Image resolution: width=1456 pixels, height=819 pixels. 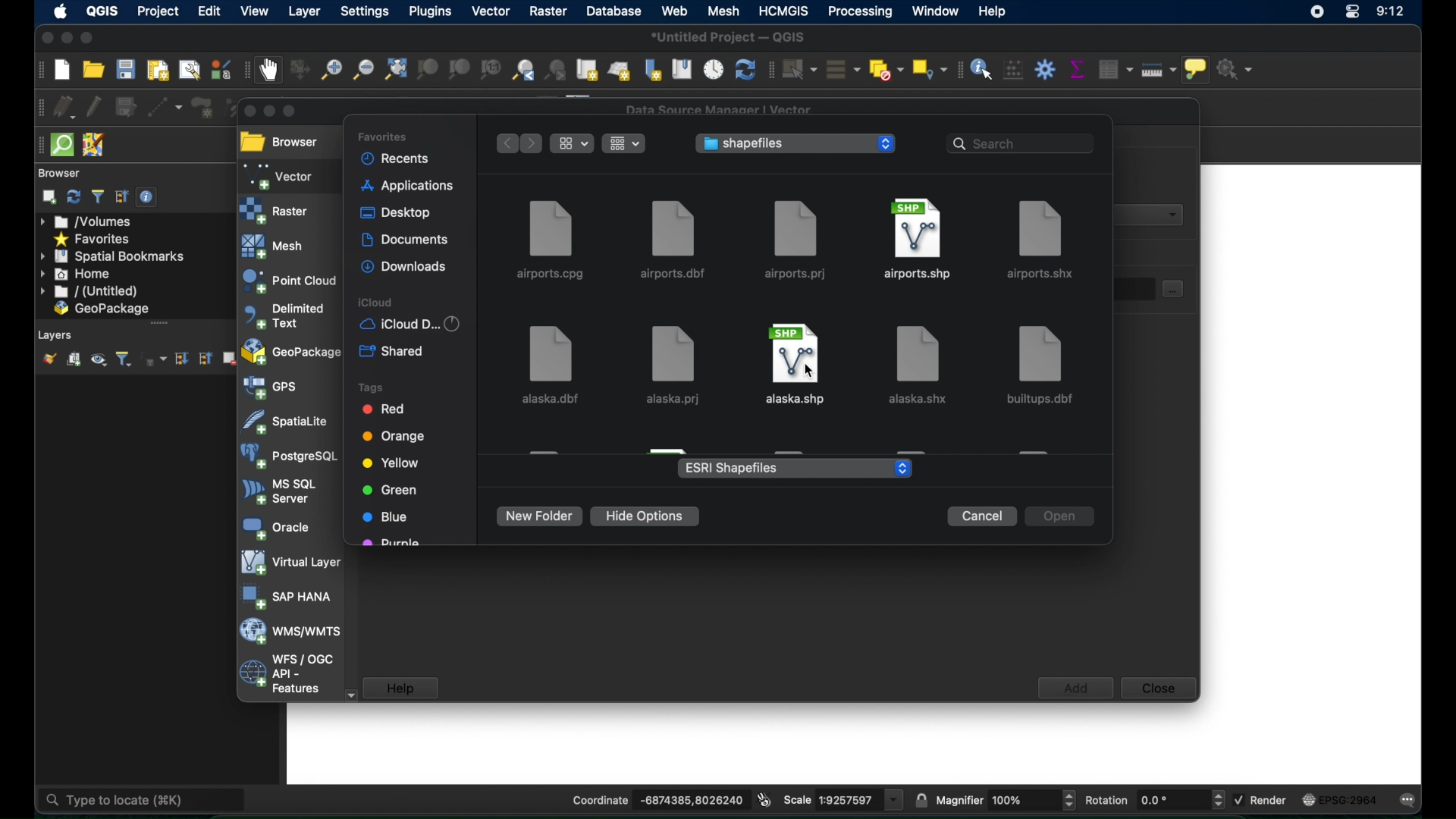 I want to click on lock scale, so click(x=918, y=799).